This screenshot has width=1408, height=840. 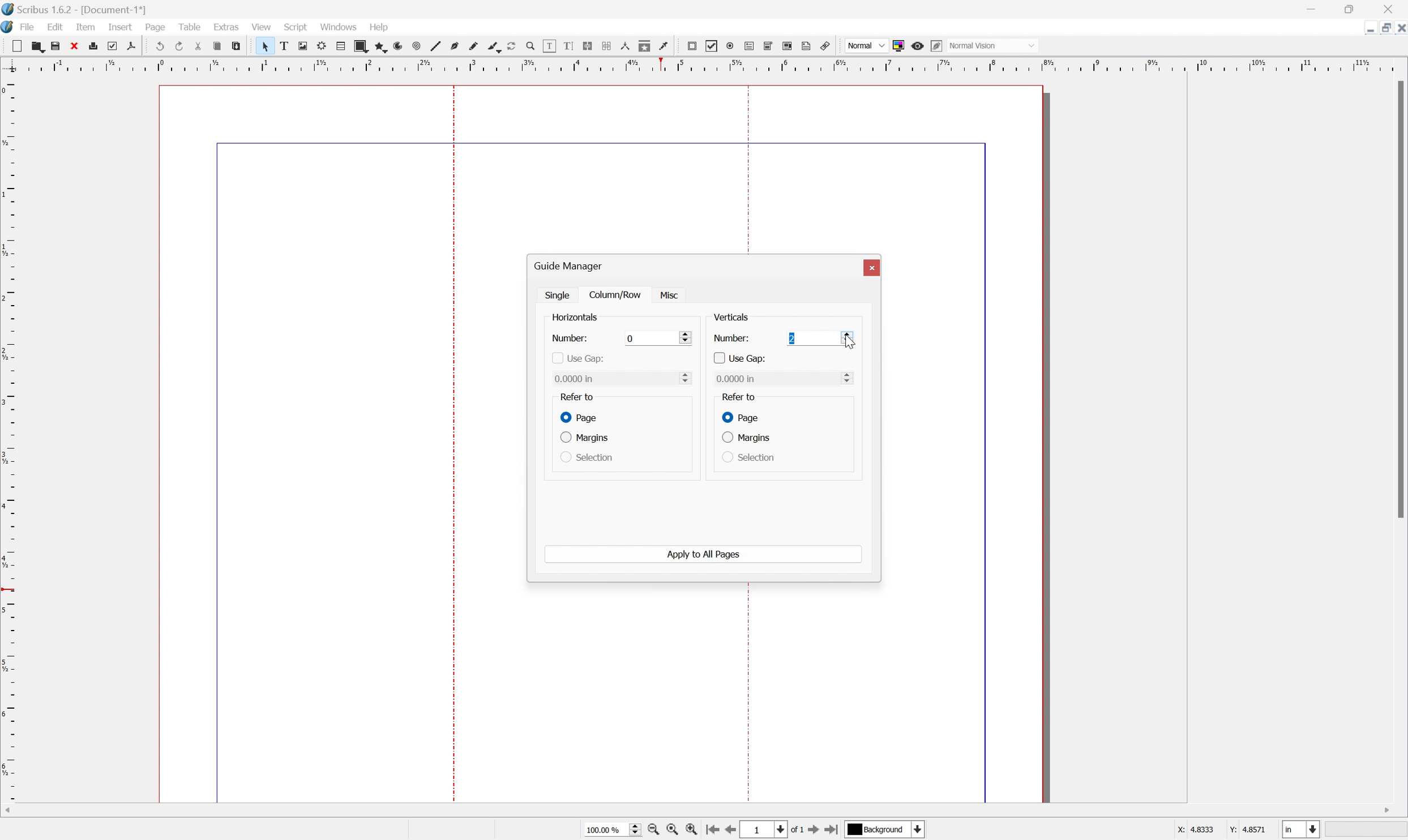 I want to click on minimize, so click(x=1365, y=28).